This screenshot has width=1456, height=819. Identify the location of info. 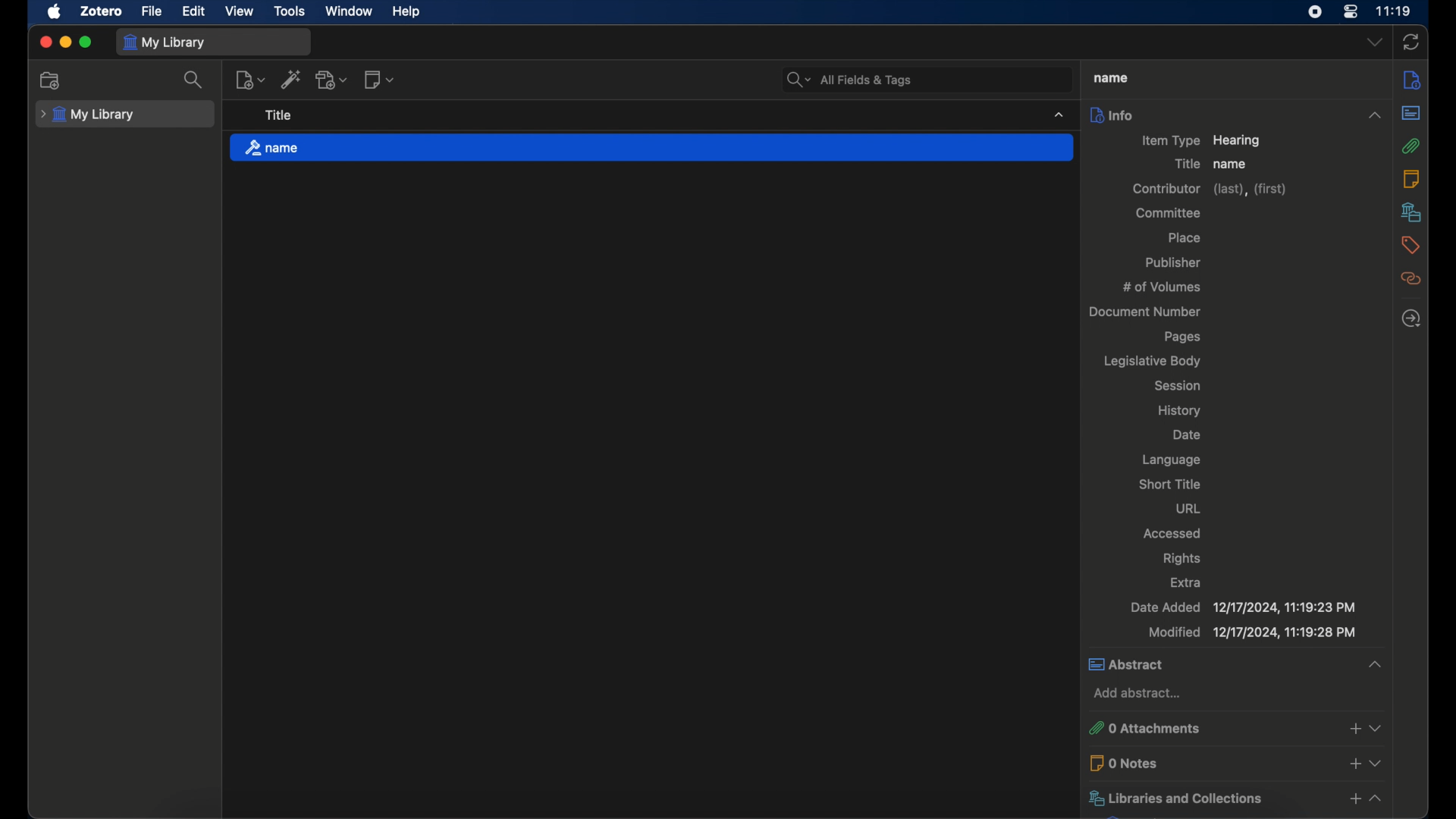
(1237, 115).